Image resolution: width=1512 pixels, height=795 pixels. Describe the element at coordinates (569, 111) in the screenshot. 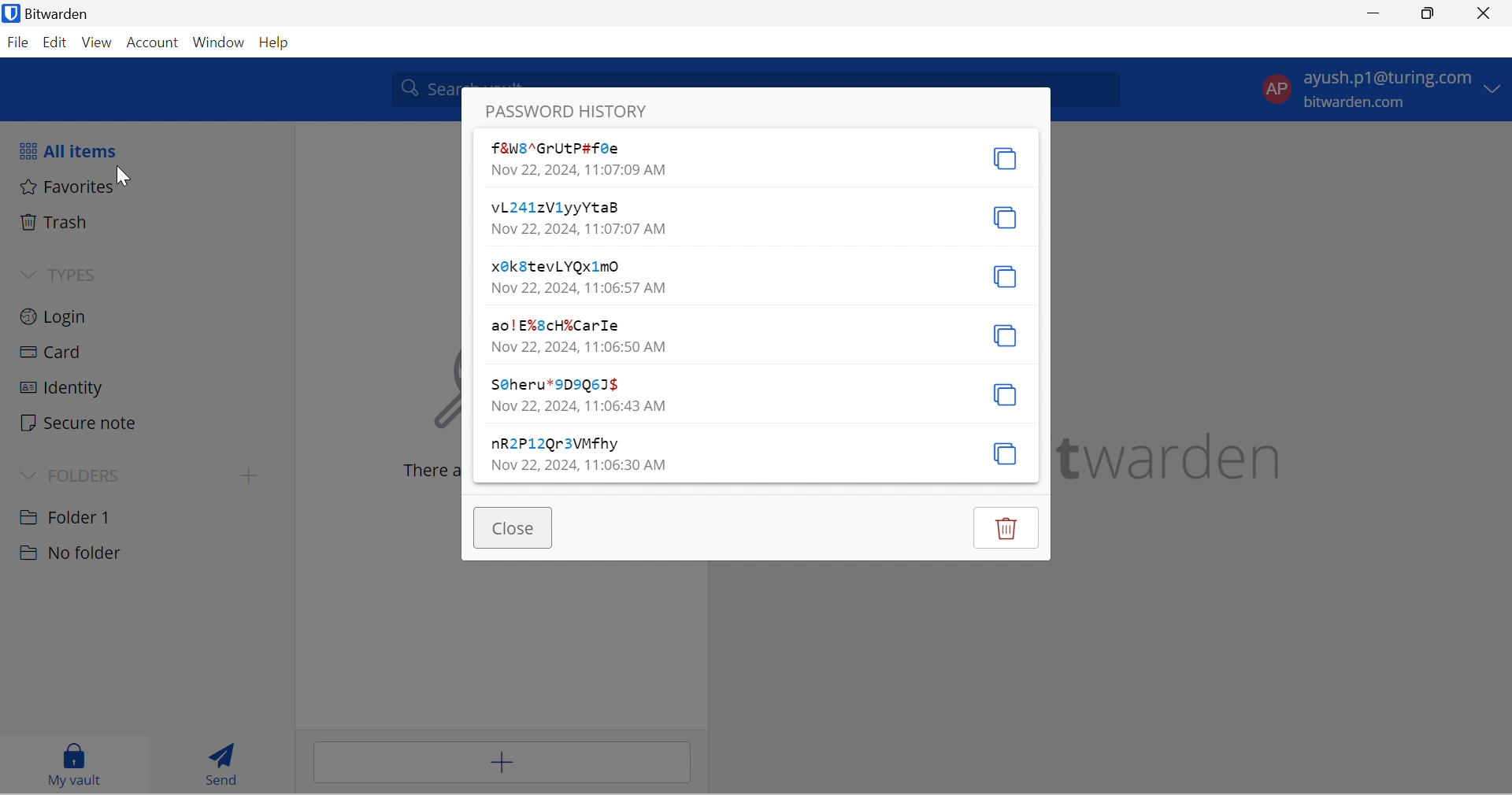

I see `PASSWORD HISTORY` at that location.